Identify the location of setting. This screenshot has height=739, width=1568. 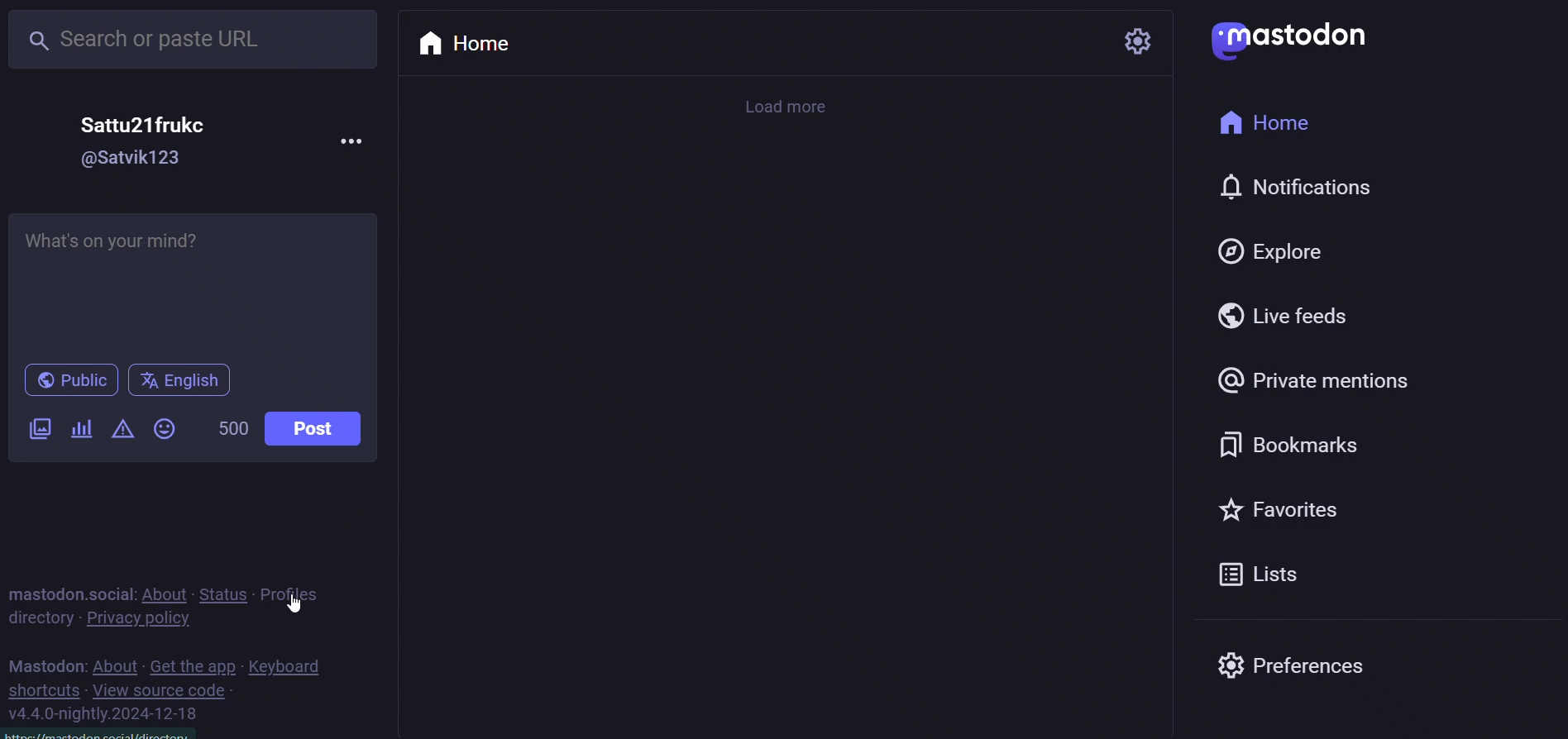
(1133, 41).